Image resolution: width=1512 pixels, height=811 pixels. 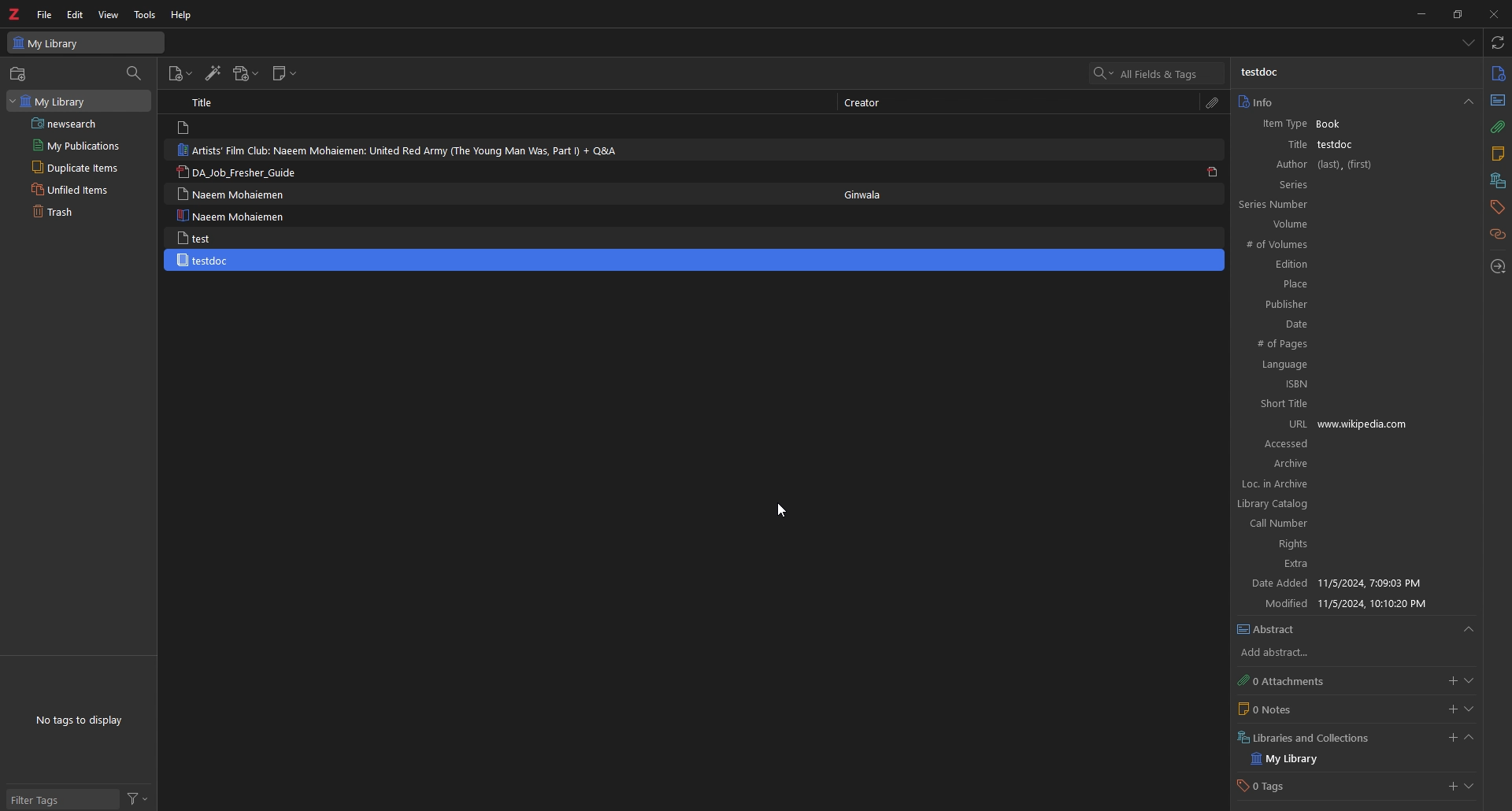 I want to click on filter items, so click(x=135, y=73).